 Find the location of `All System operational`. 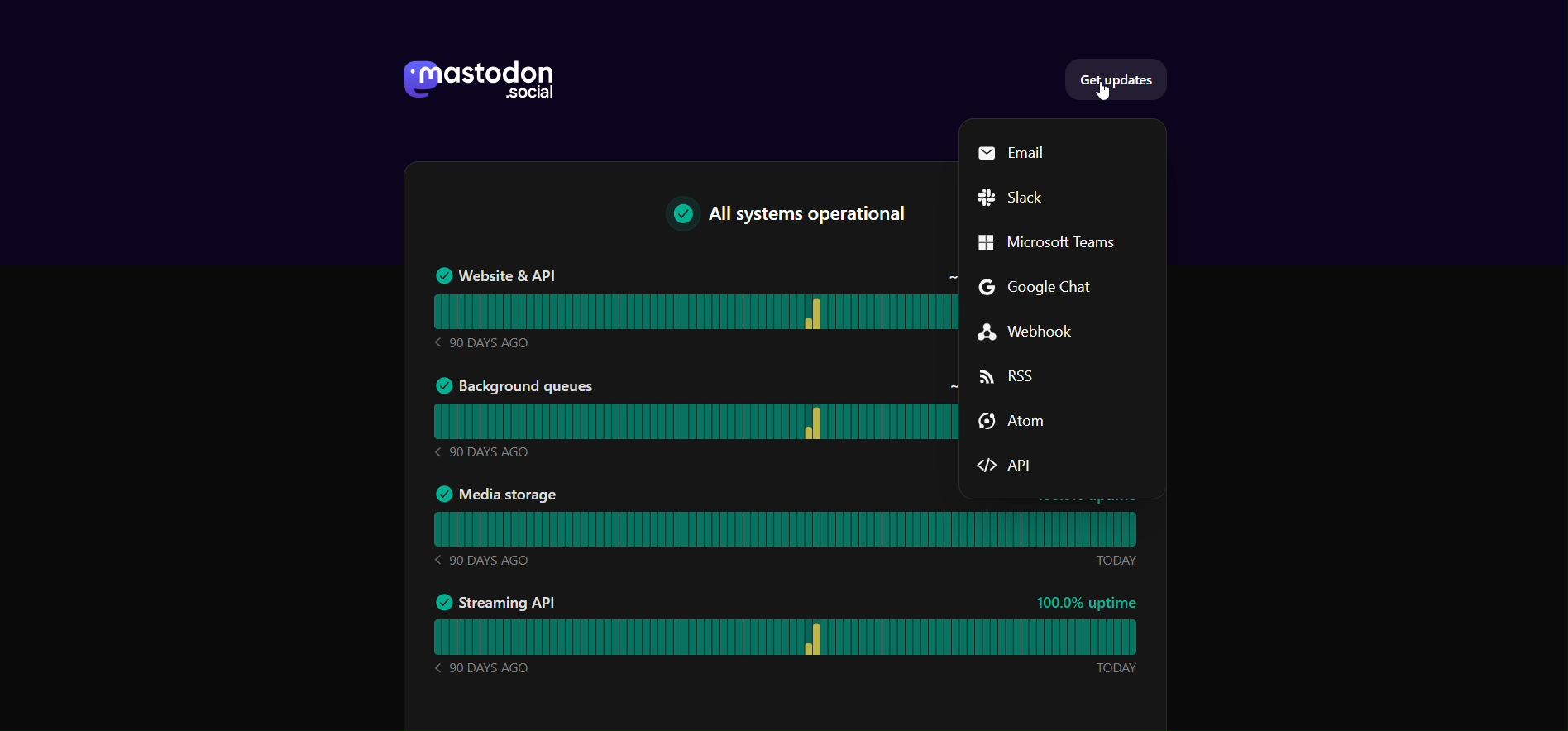

All System operational is located at coordinates (778, 216).